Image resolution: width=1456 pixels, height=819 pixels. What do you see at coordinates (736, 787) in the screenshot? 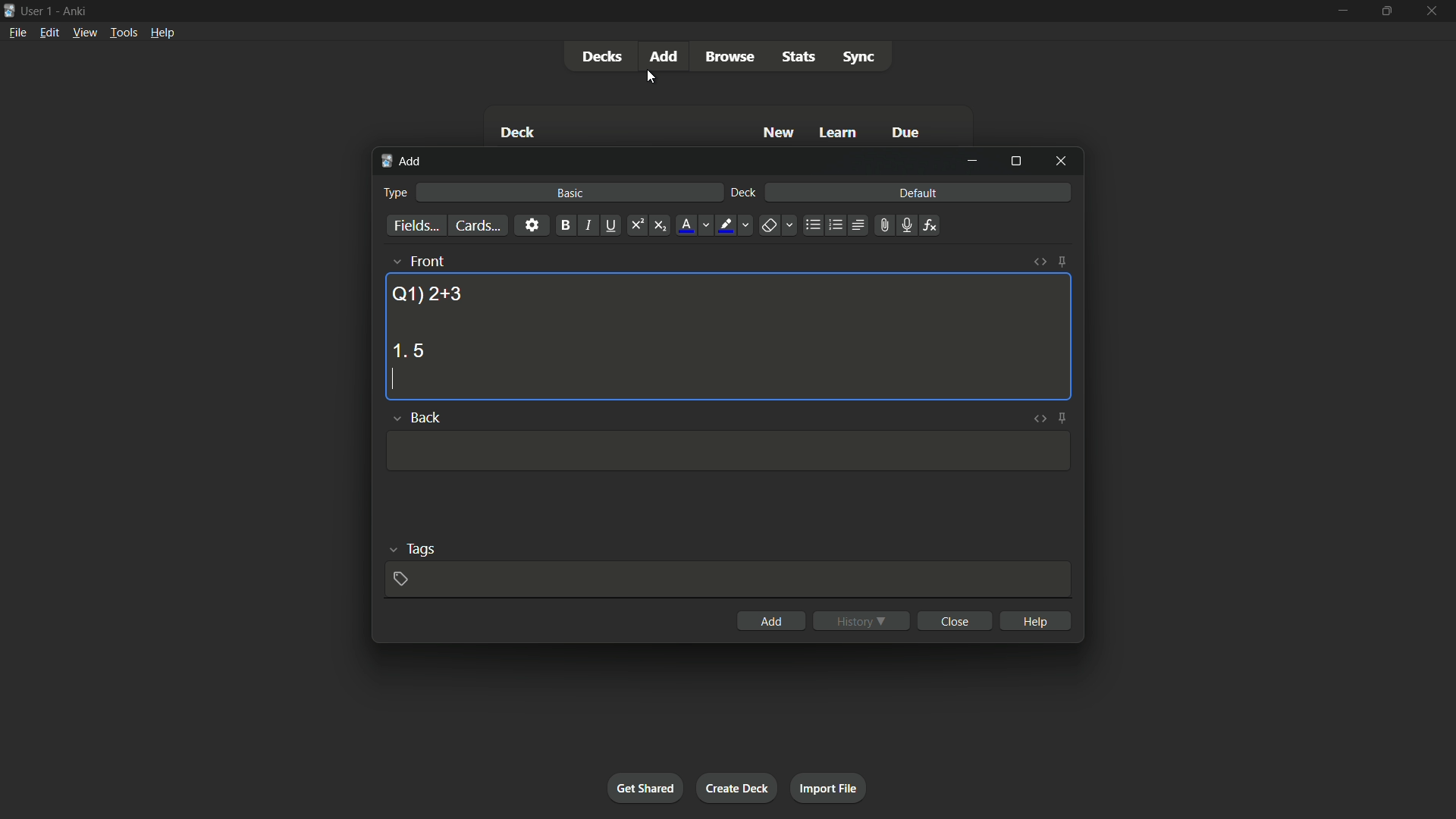
I see `create deck` at bounding box center [736, 787].